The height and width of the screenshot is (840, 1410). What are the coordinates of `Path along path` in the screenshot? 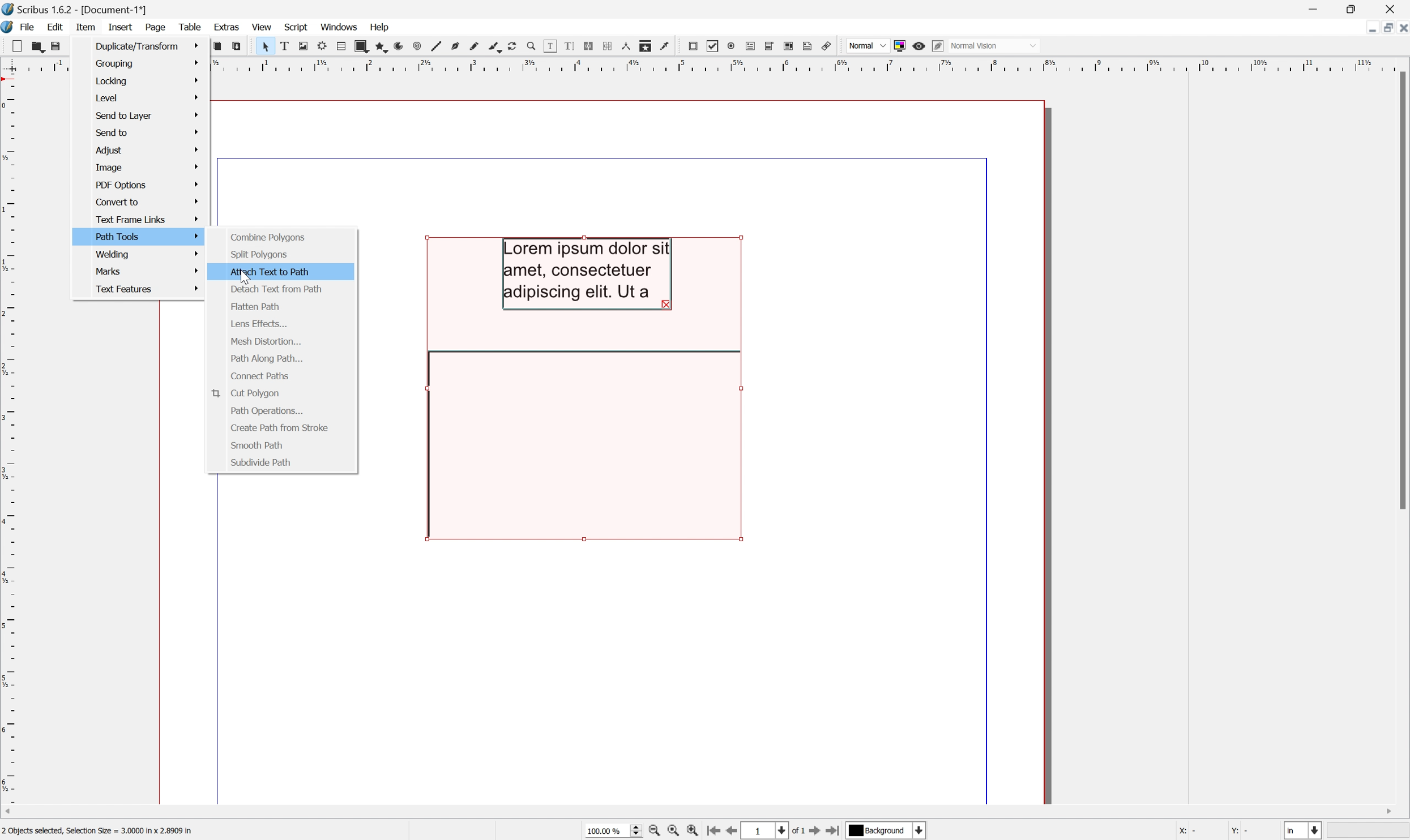 It's located at (267, 359).